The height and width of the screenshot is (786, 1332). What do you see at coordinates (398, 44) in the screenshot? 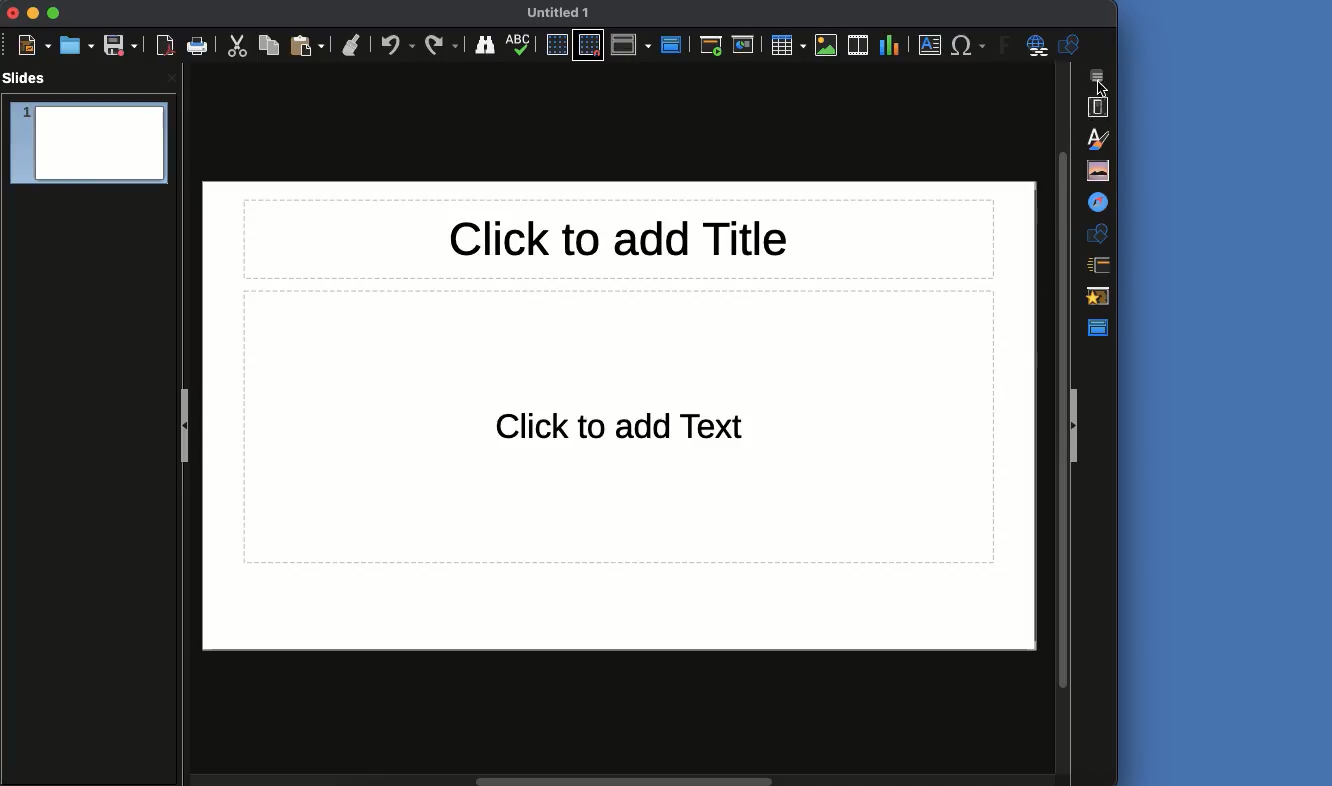
I see `Undo` at bounding box center [398, 44].